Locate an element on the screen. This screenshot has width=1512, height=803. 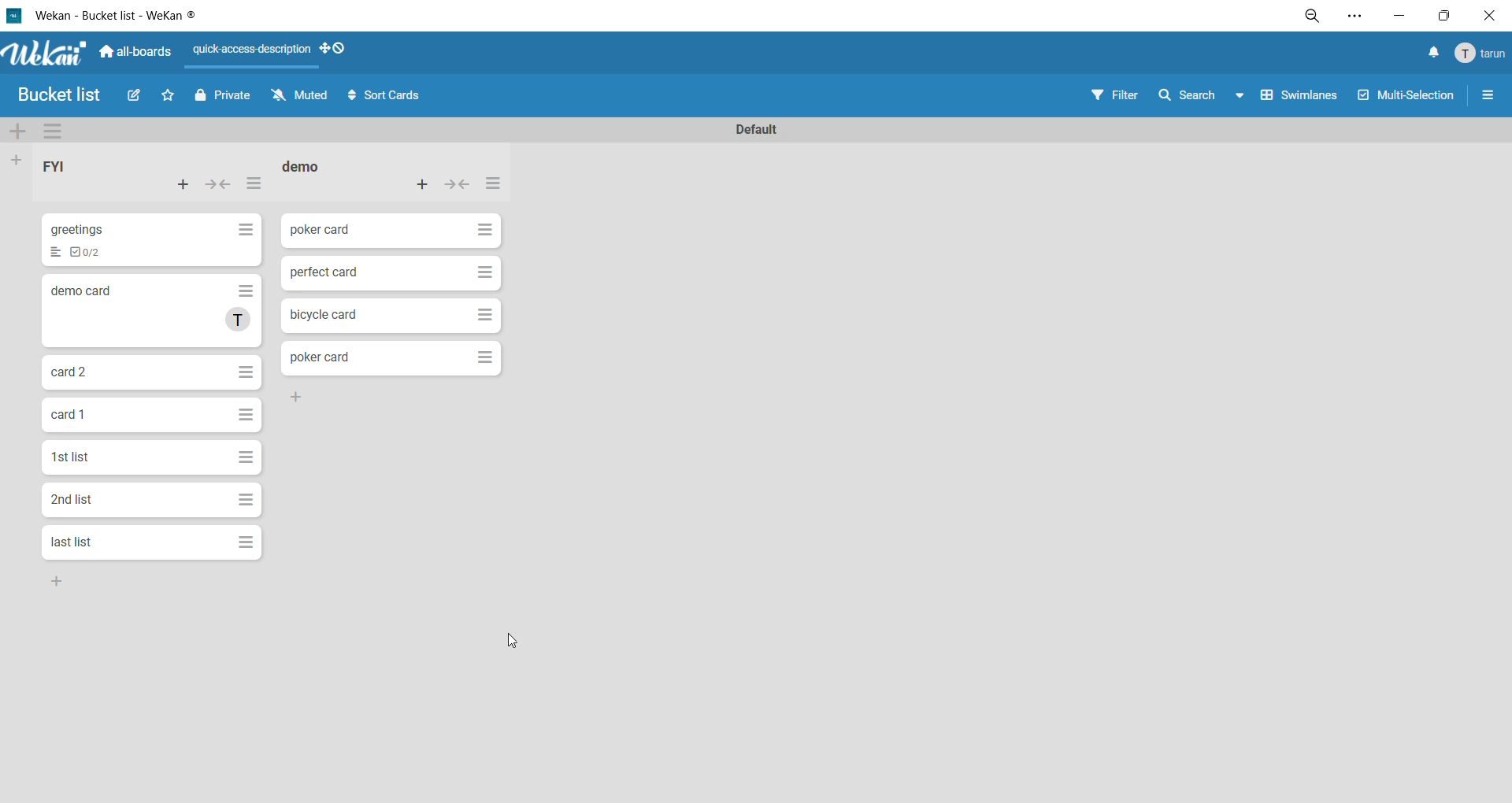
add card is located at coordinates (183, 187).